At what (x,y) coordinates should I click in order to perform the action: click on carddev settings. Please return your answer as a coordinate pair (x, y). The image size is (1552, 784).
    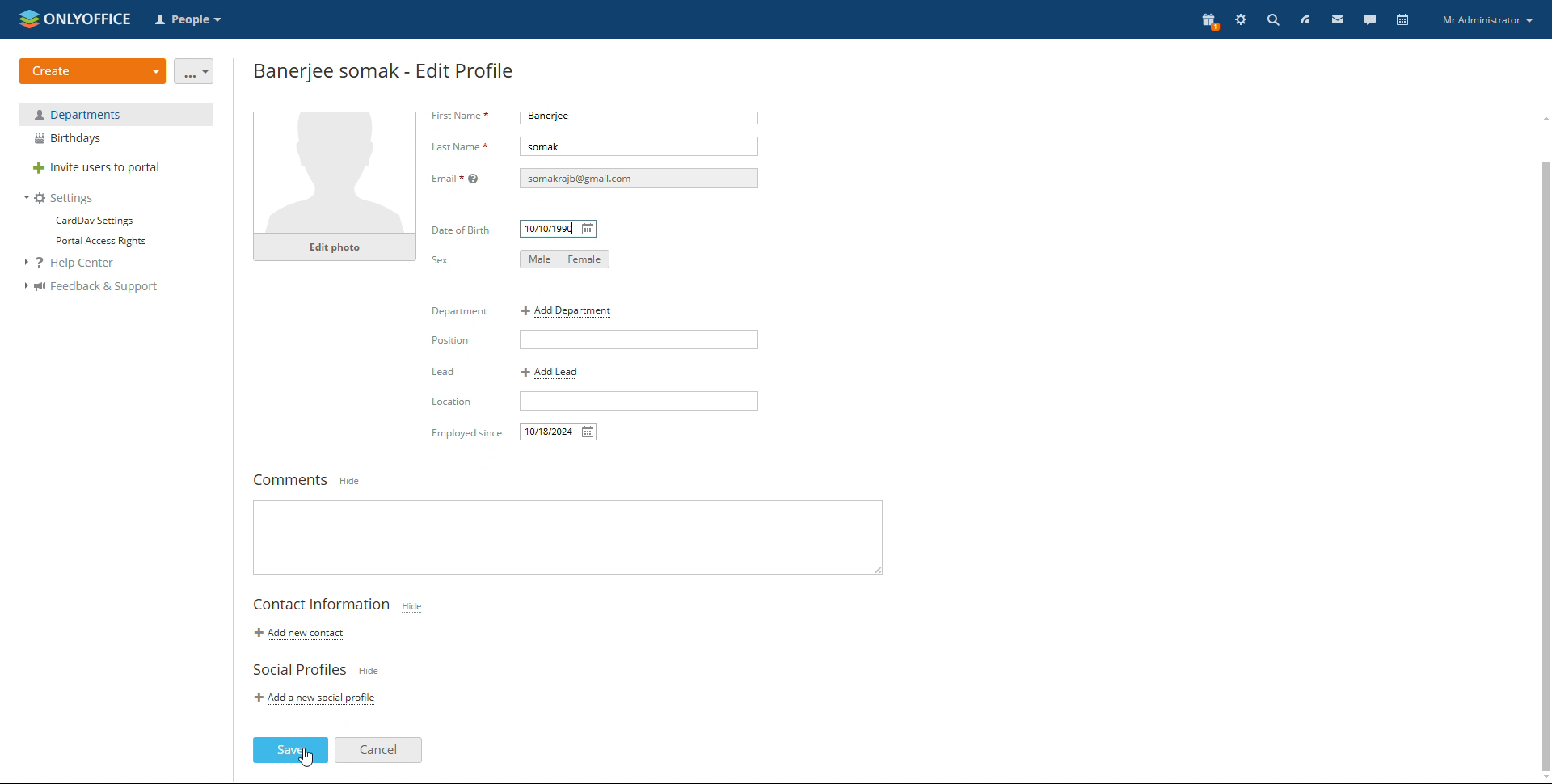
    Looking at the image, I should click on (93, 221).